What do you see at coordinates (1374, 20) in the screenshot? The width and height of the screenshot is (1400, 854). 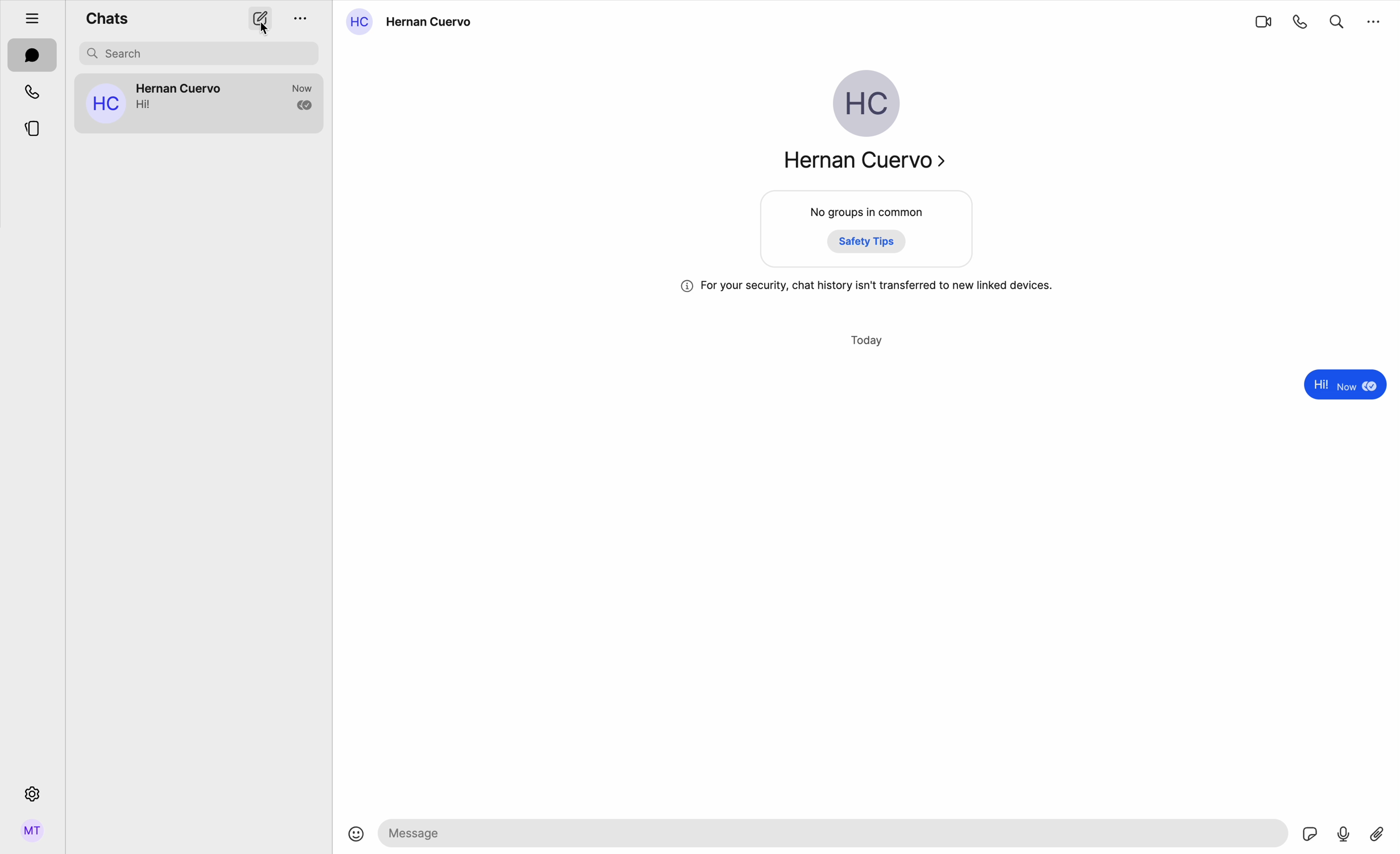 I see `more options` at bounding box center [1374, 20].